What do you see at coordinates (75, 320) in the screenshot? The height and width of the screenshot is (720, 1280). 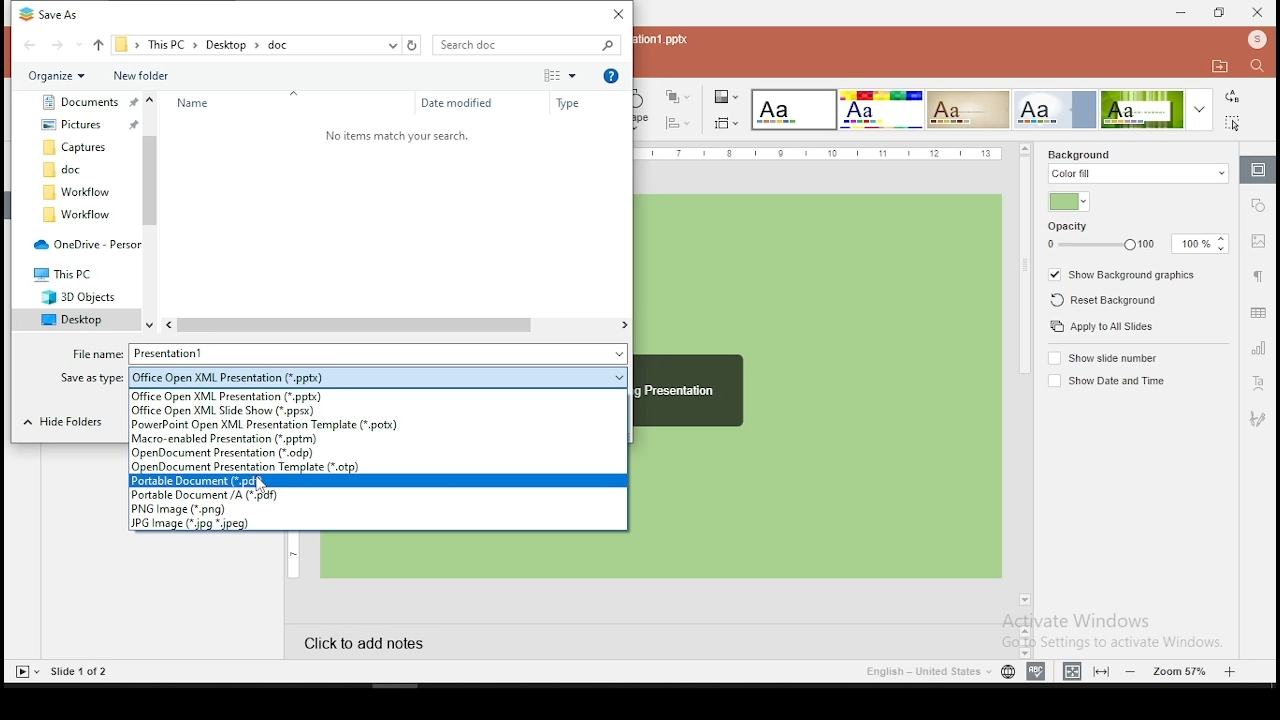 I see `Desktop` at bounding box center [75, 320].